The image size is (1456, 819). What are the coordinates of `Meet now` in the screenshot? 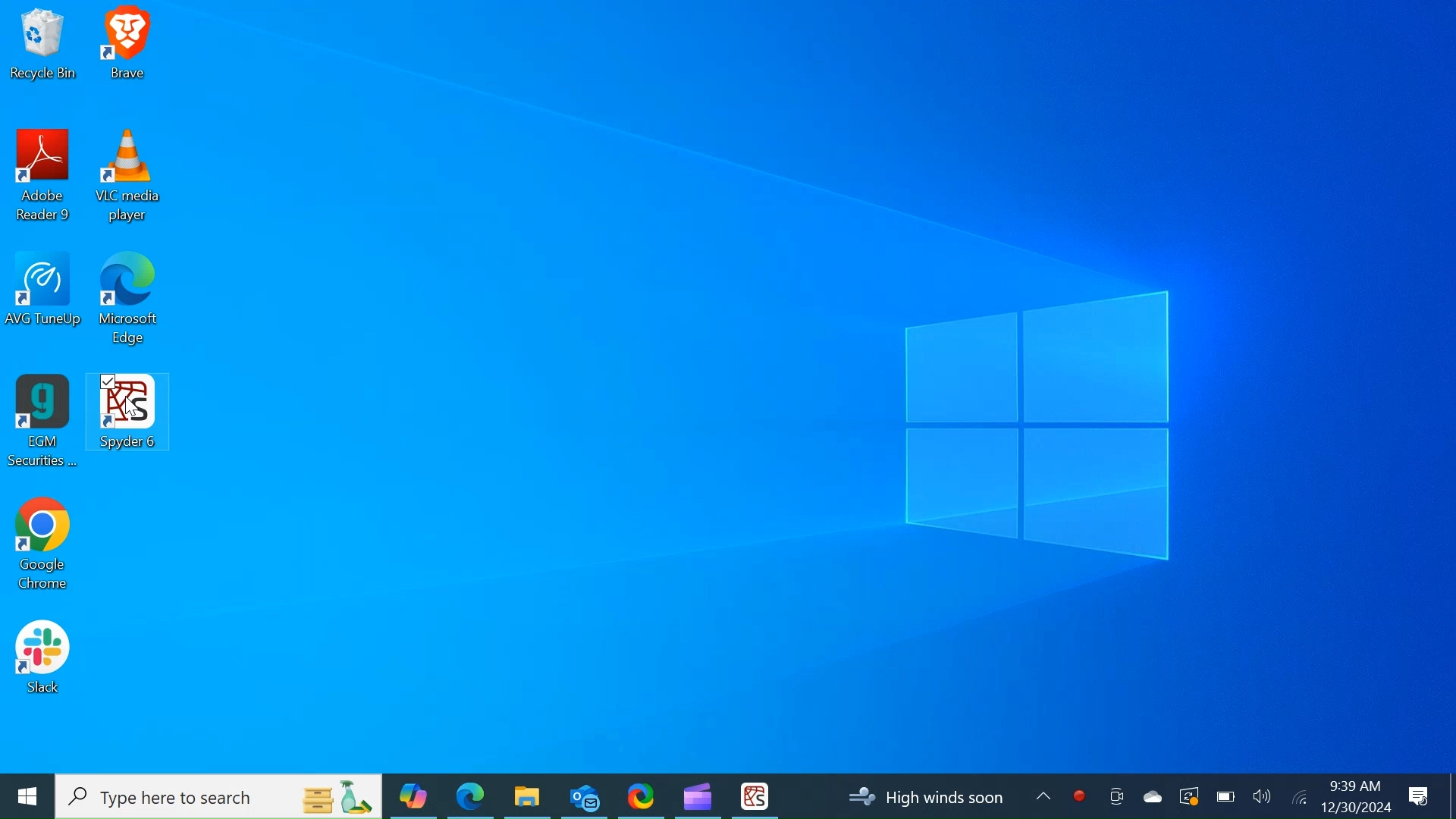 It's located at (1116, 796).